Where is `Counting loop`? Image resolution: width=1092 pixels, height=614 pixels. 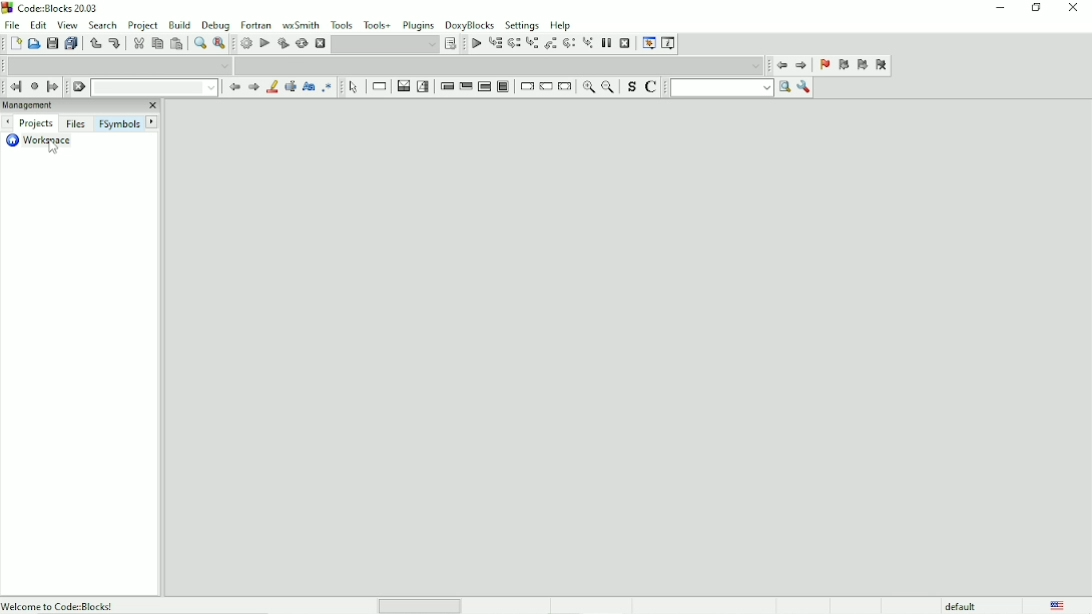
Counting loop is located at coordinates (484, 87).